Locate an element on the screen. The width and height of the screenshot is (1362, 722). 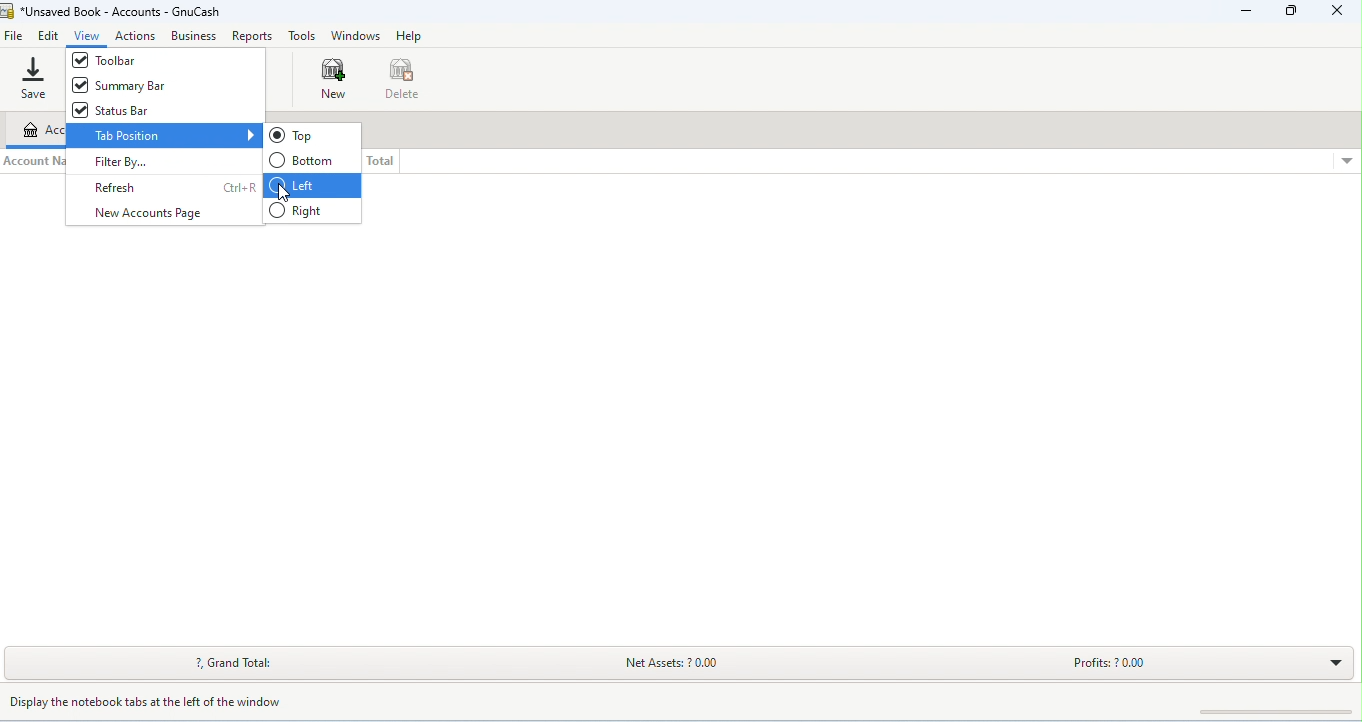
bottom is located at coordinates (305, 160).